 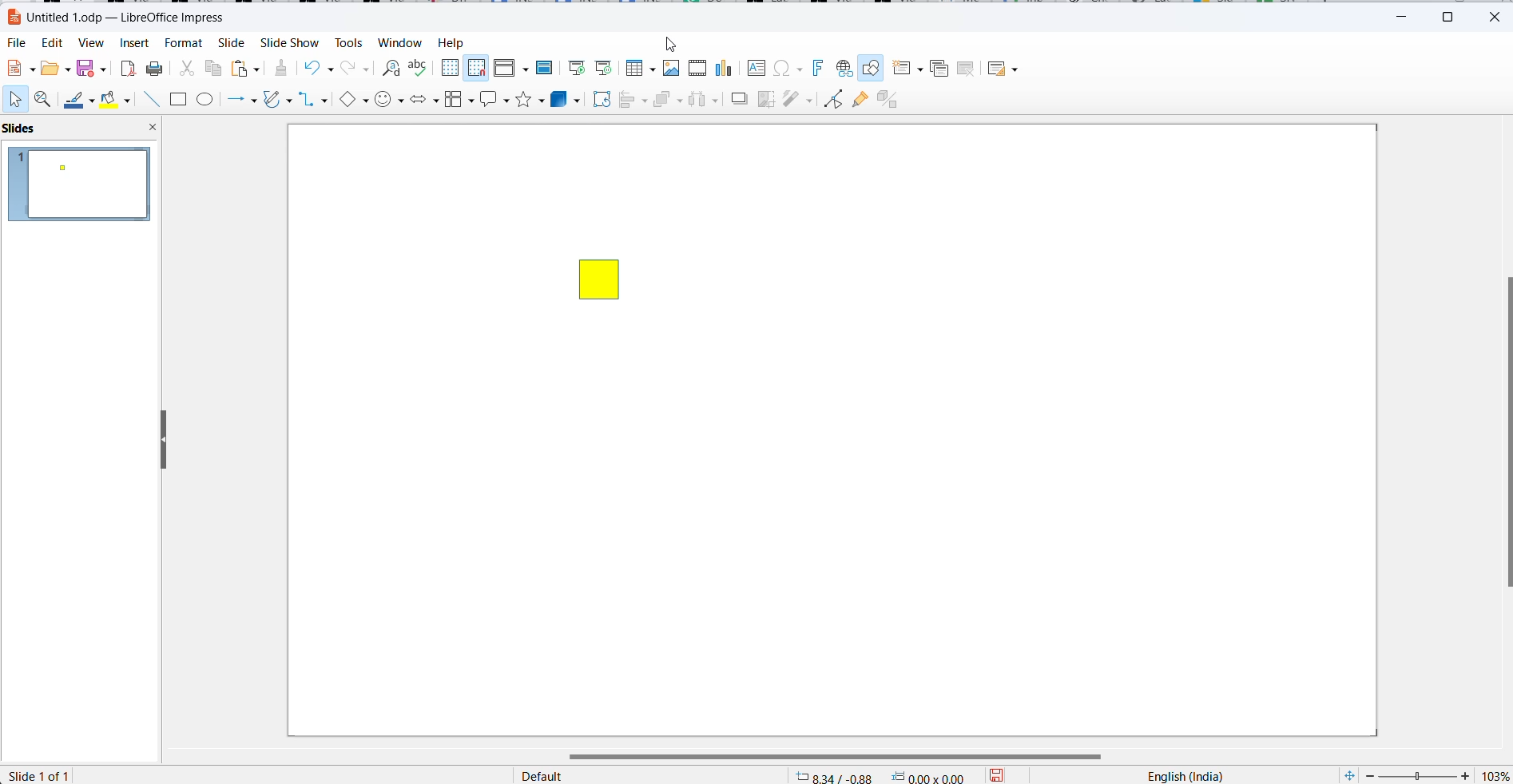 What do you see at coordinates (157, 438) in the screenshot?
I see `resize` at bounding box center [157, 438].